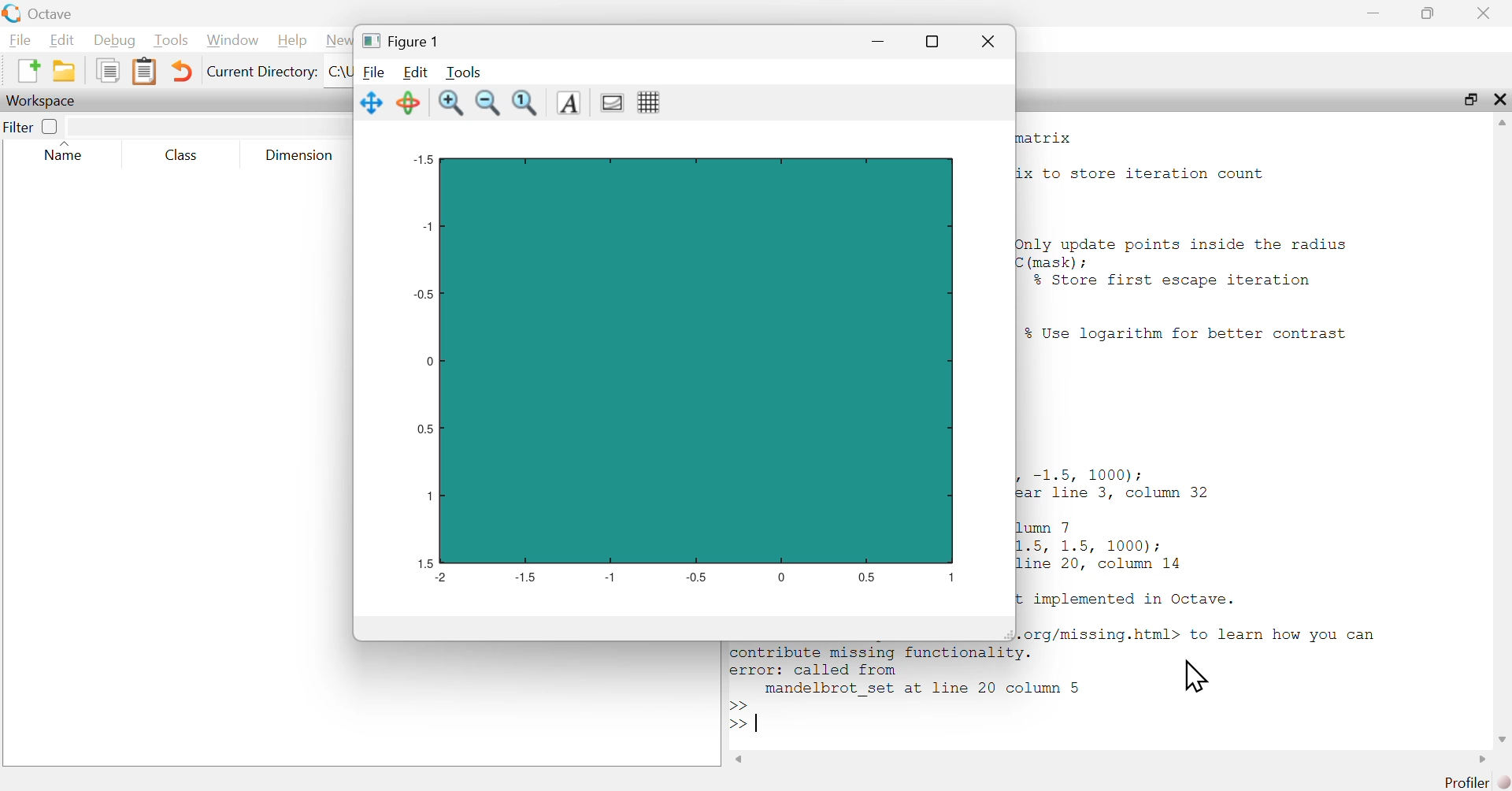  What do you see at coordinates (1479, 759) in the screenshot?
I see `Scrollbar right` at bounding box center [1479, 759].